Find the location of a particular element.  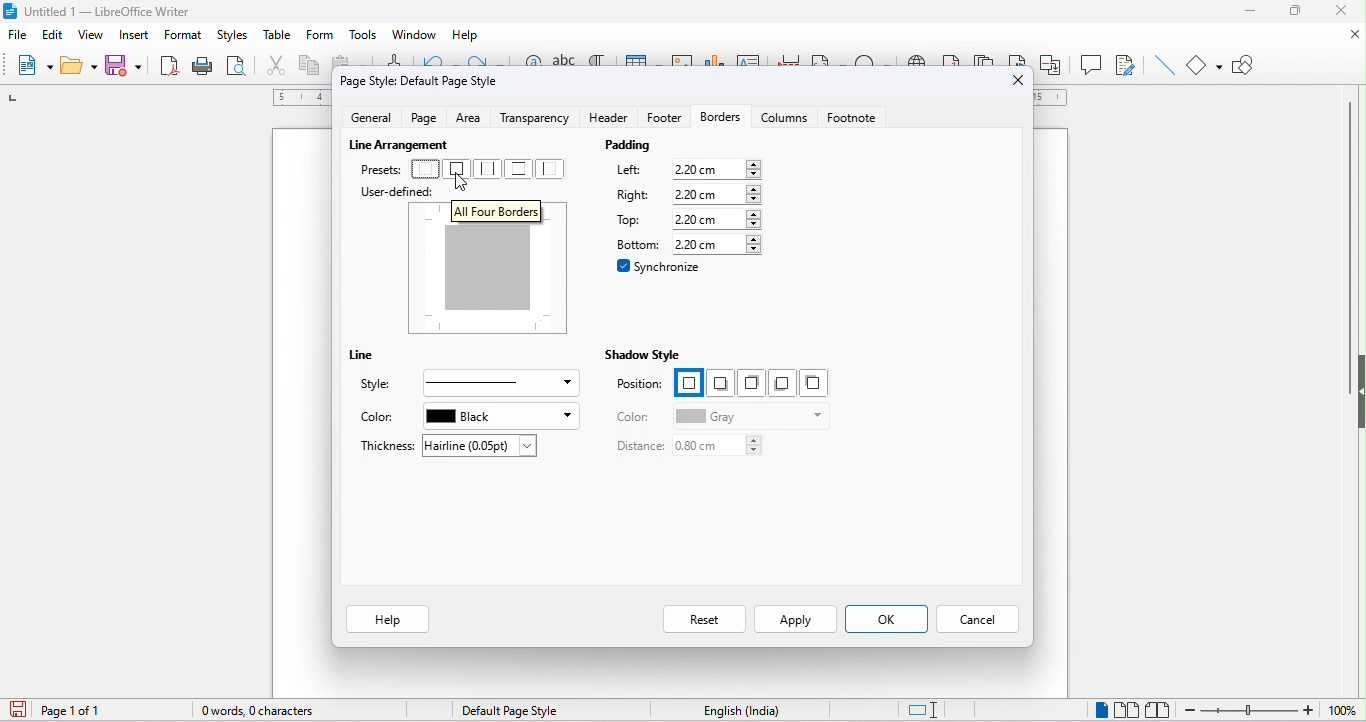

cut is located at coordinates (275, 67).